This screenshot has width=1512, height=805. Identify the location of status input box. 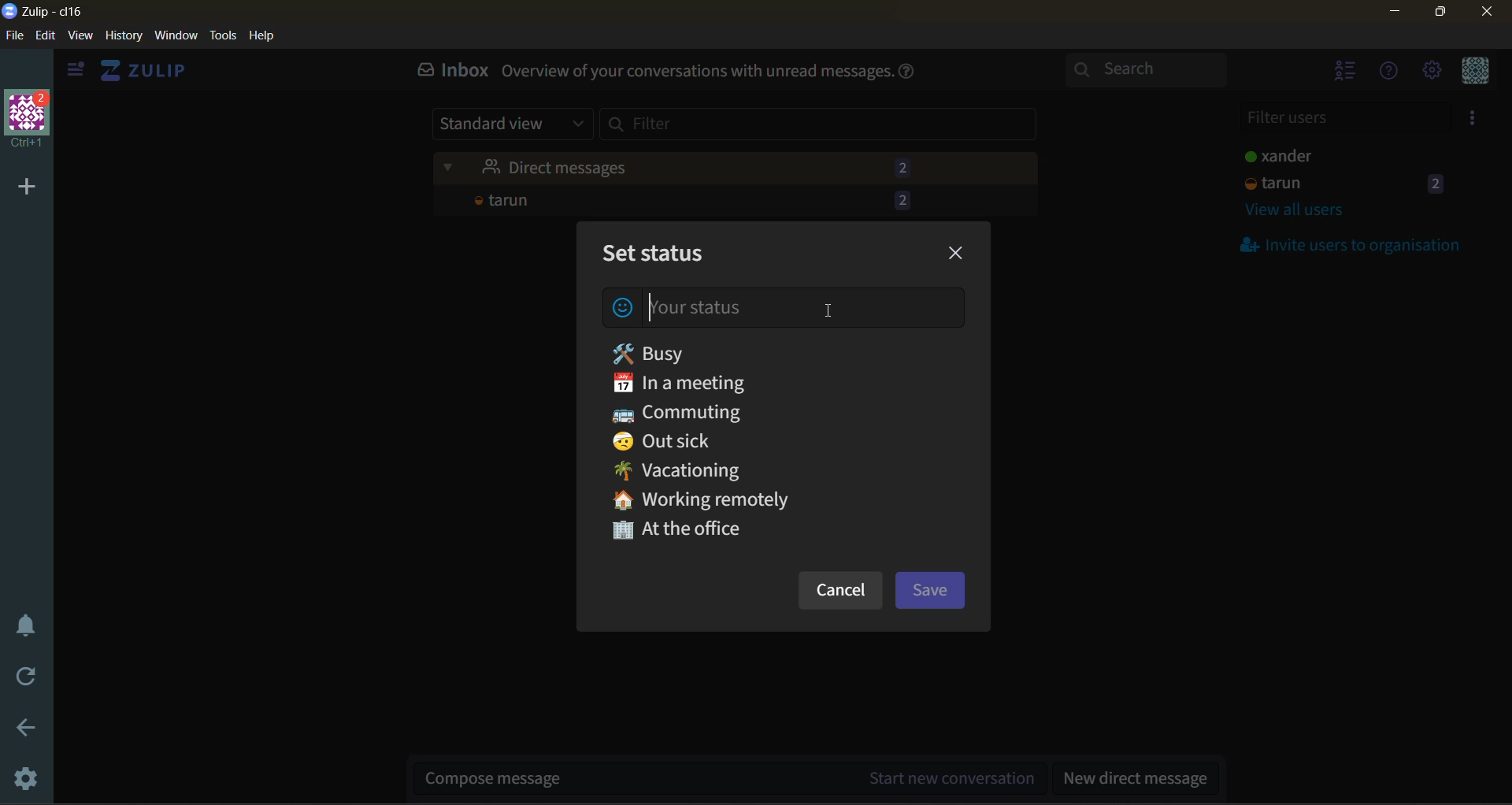
(713, 310).